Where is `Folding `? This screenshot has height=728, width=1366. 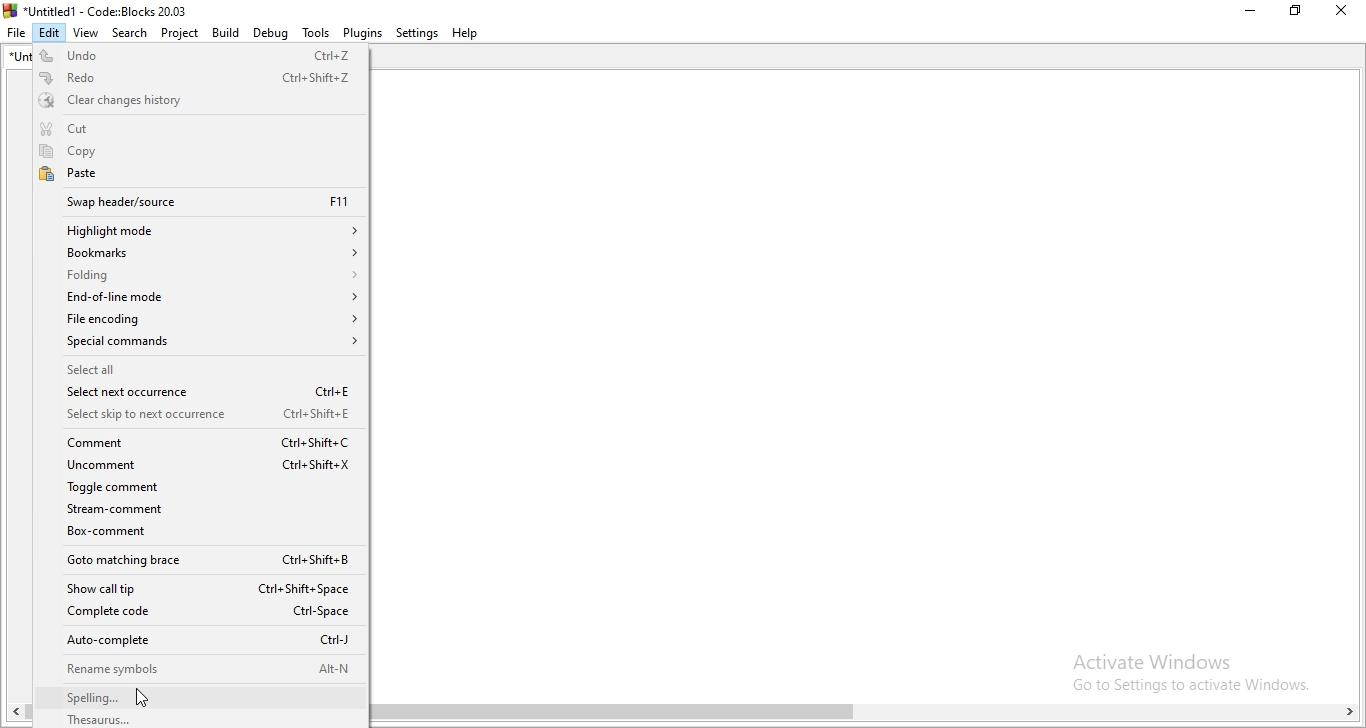 Folding  is located at coordinates (198, 276).